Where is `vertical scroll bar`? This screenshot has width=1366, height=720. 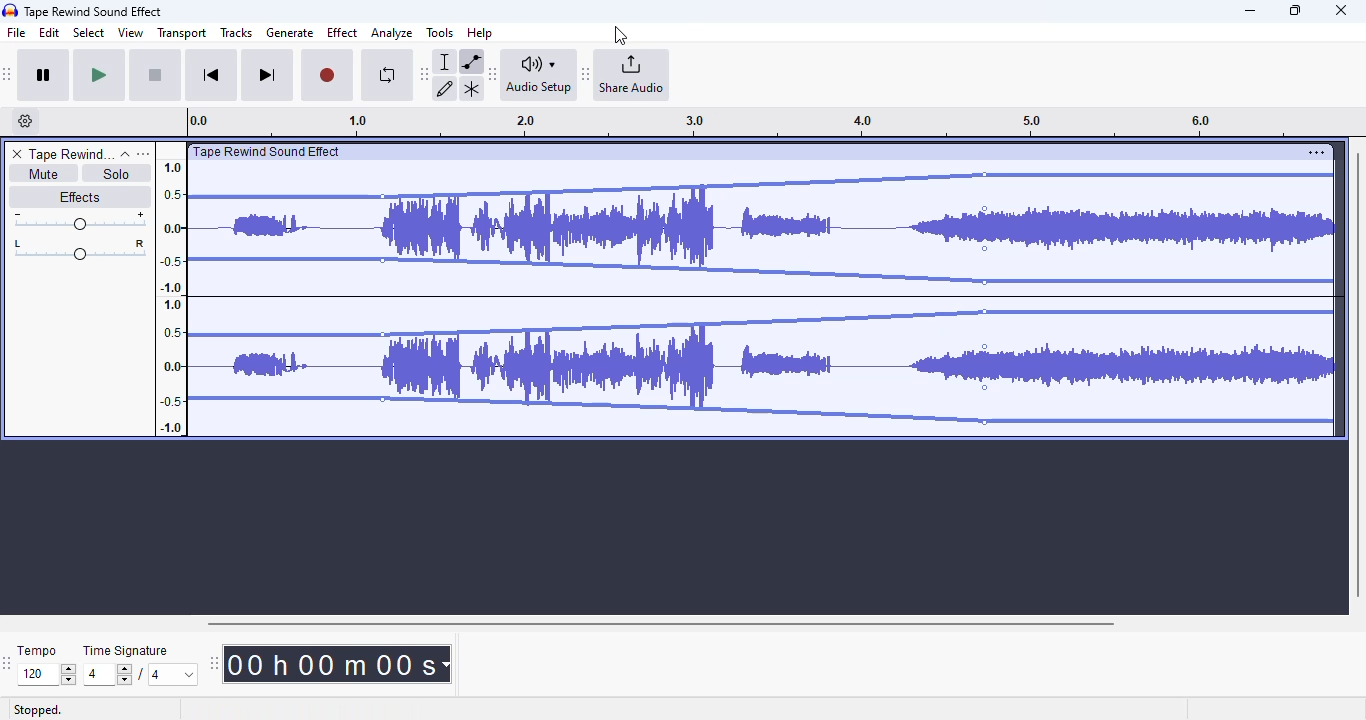
vertical scroll bar is located at coordinates (1357, 372).